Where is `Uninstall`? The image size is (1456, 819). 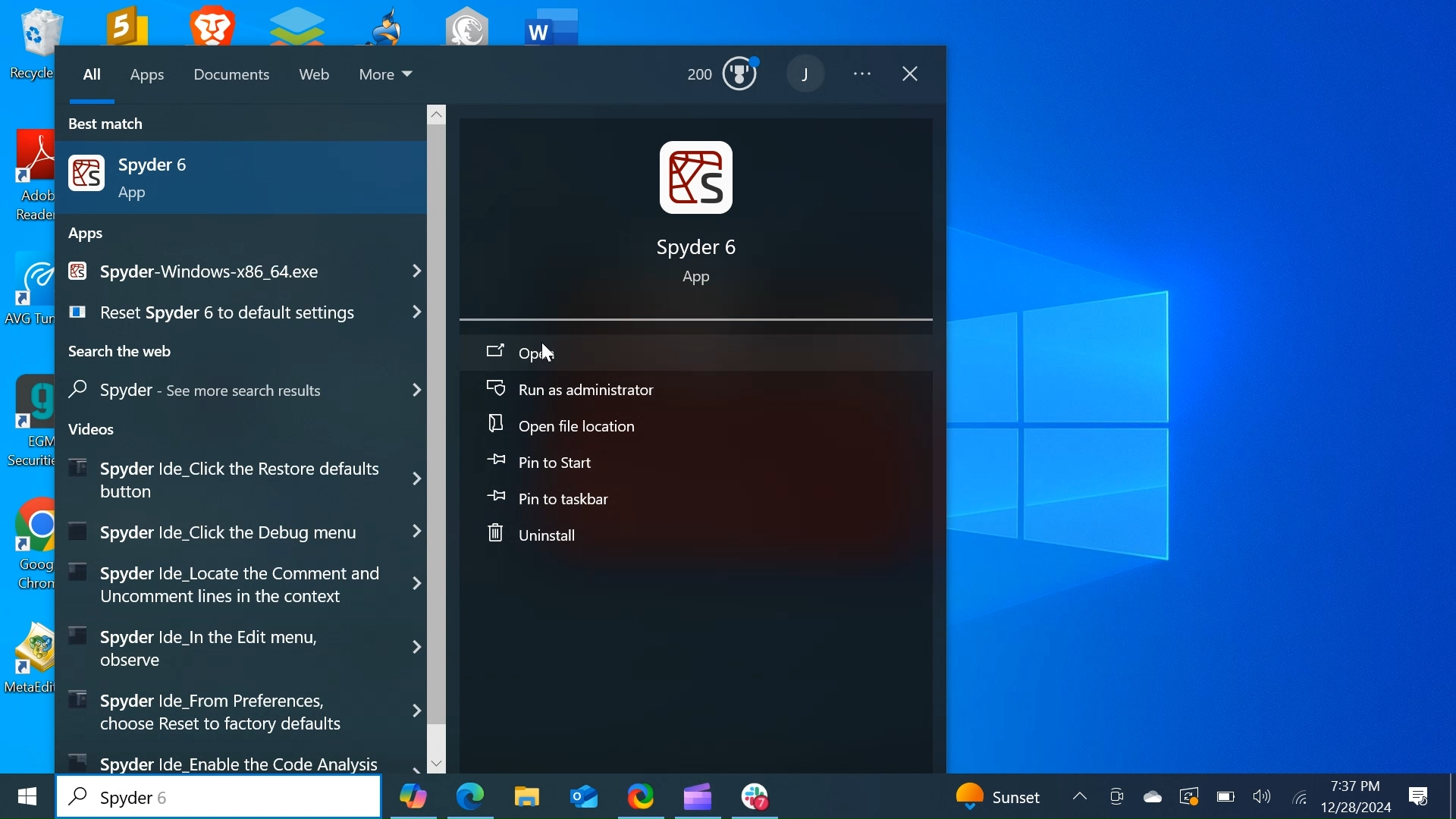
Uninstall is located at coordinates (698, 534).